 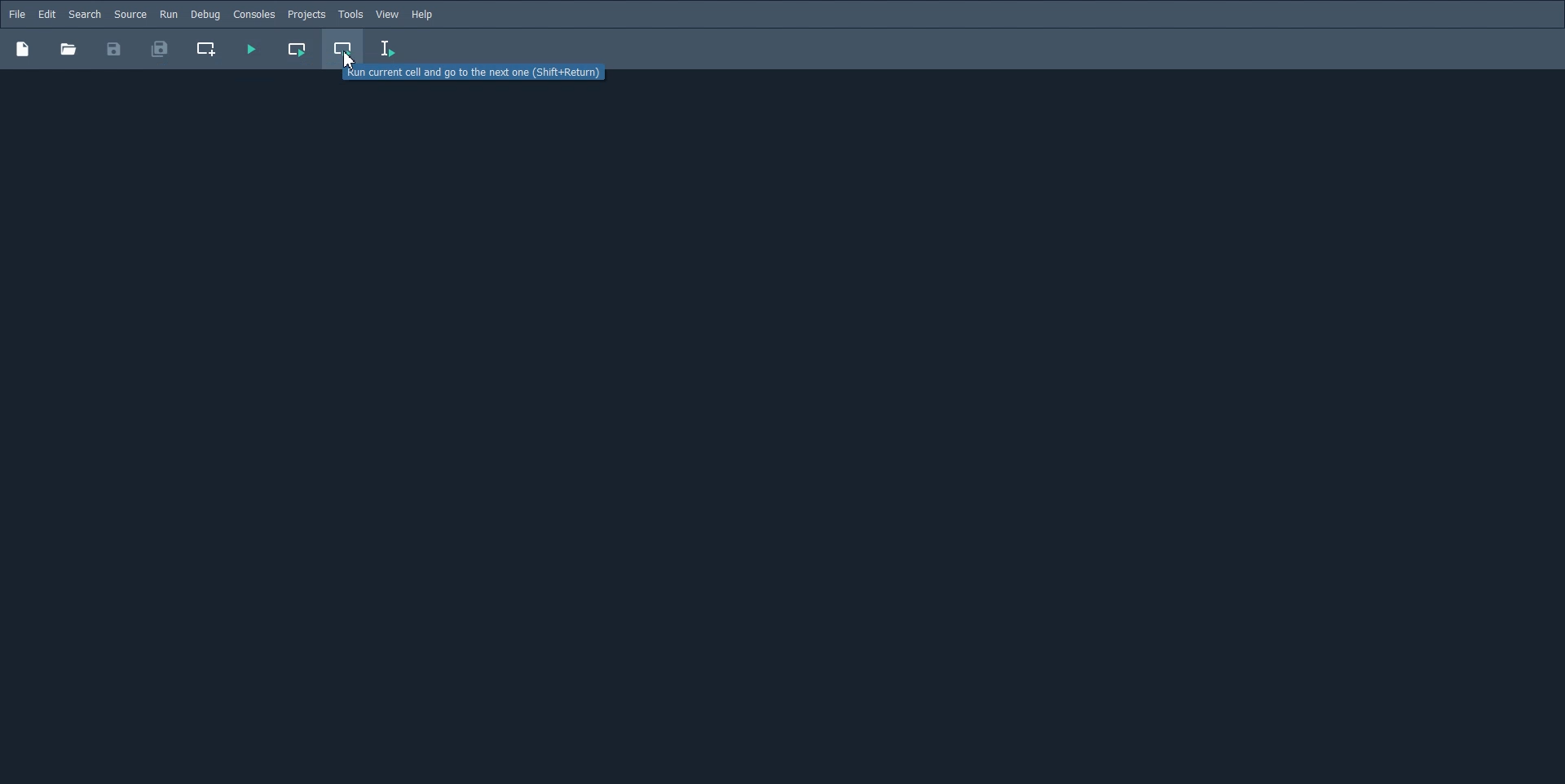 I want to click on Run, so click(x=169, y=14).